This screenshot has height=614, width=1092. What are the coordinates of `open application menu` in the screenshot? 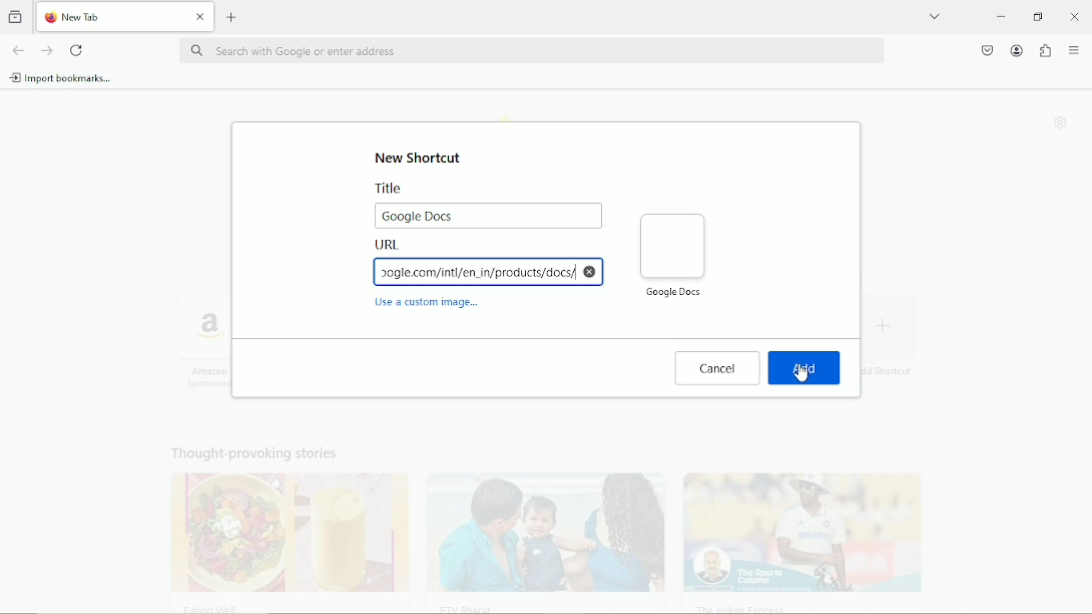 It's located at (1074, 51).